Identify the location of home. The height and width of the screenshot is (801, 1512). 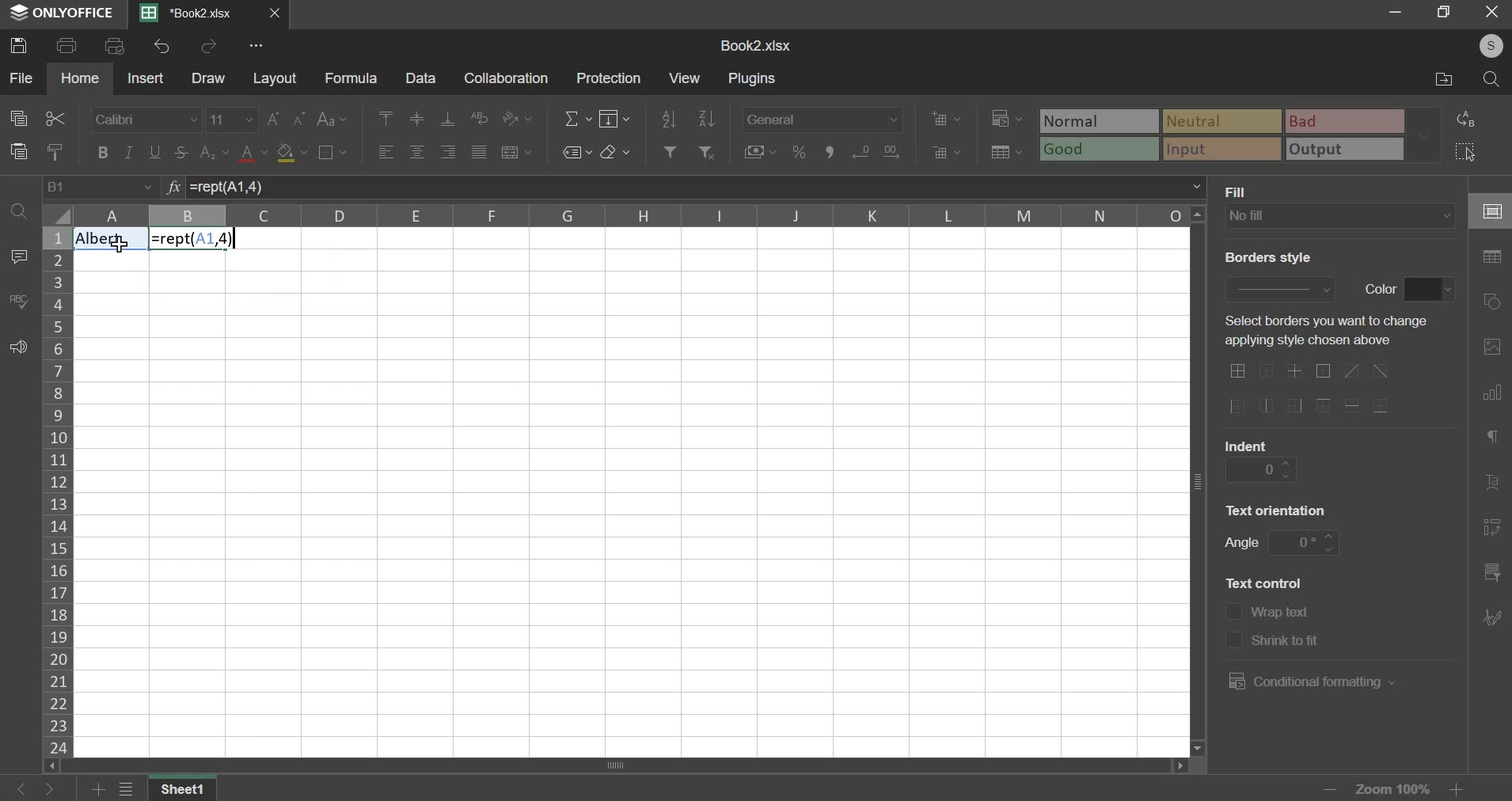
(81, 79).